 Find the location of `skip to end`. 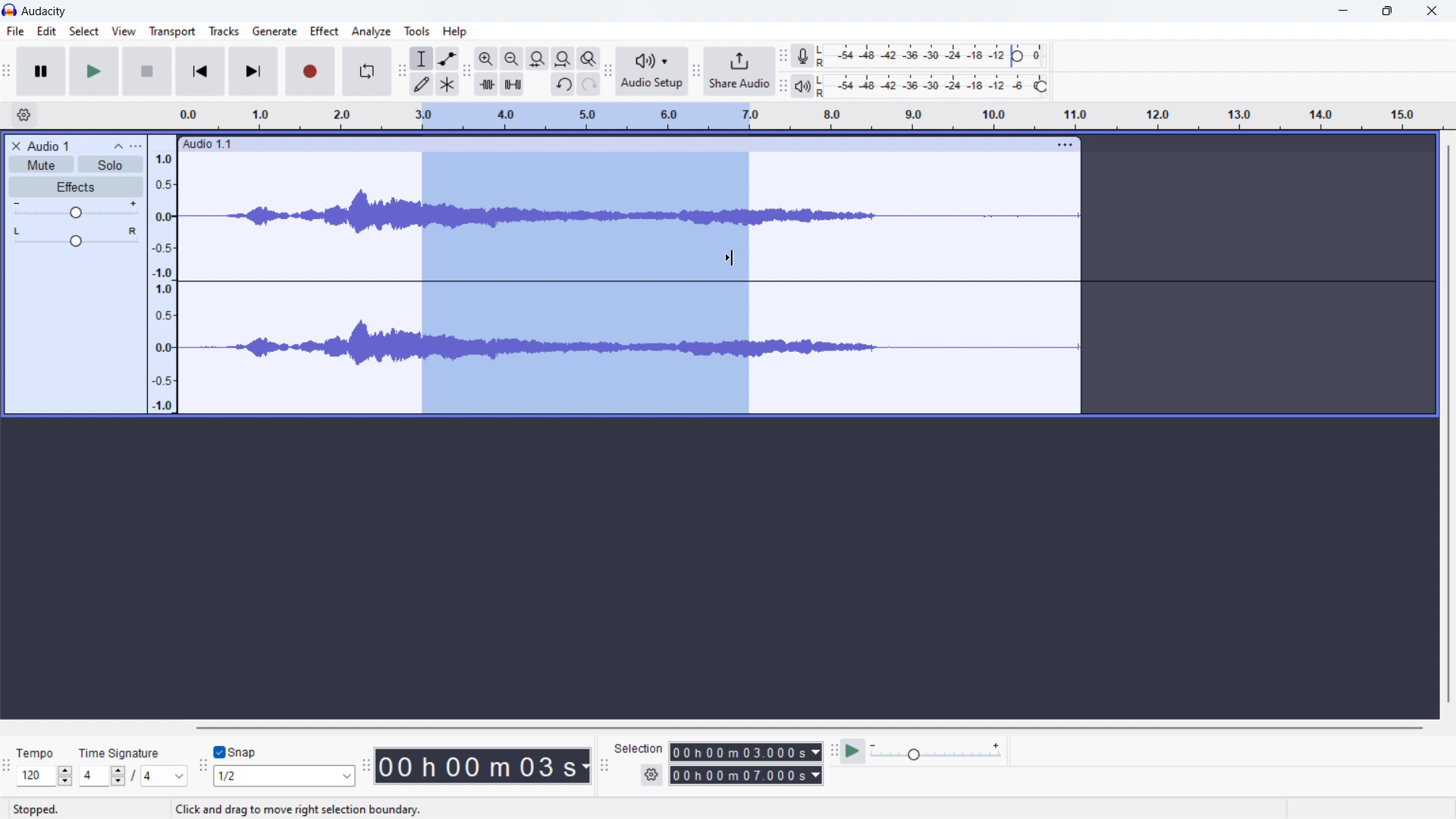

skip to end is located at coordinates (253, 72).